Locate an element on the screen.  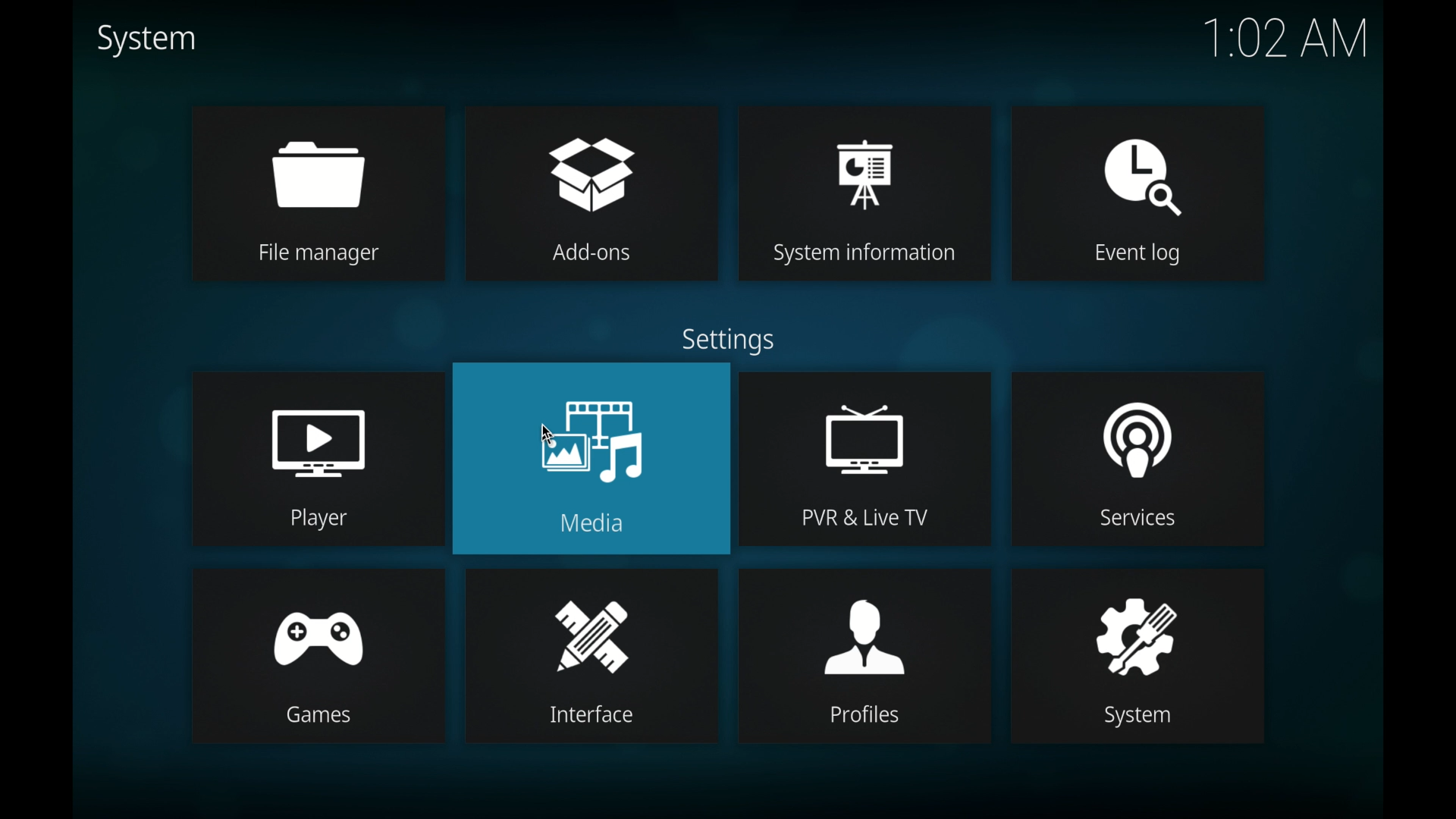
pvr and live tv is located at coordinates (864, 429).